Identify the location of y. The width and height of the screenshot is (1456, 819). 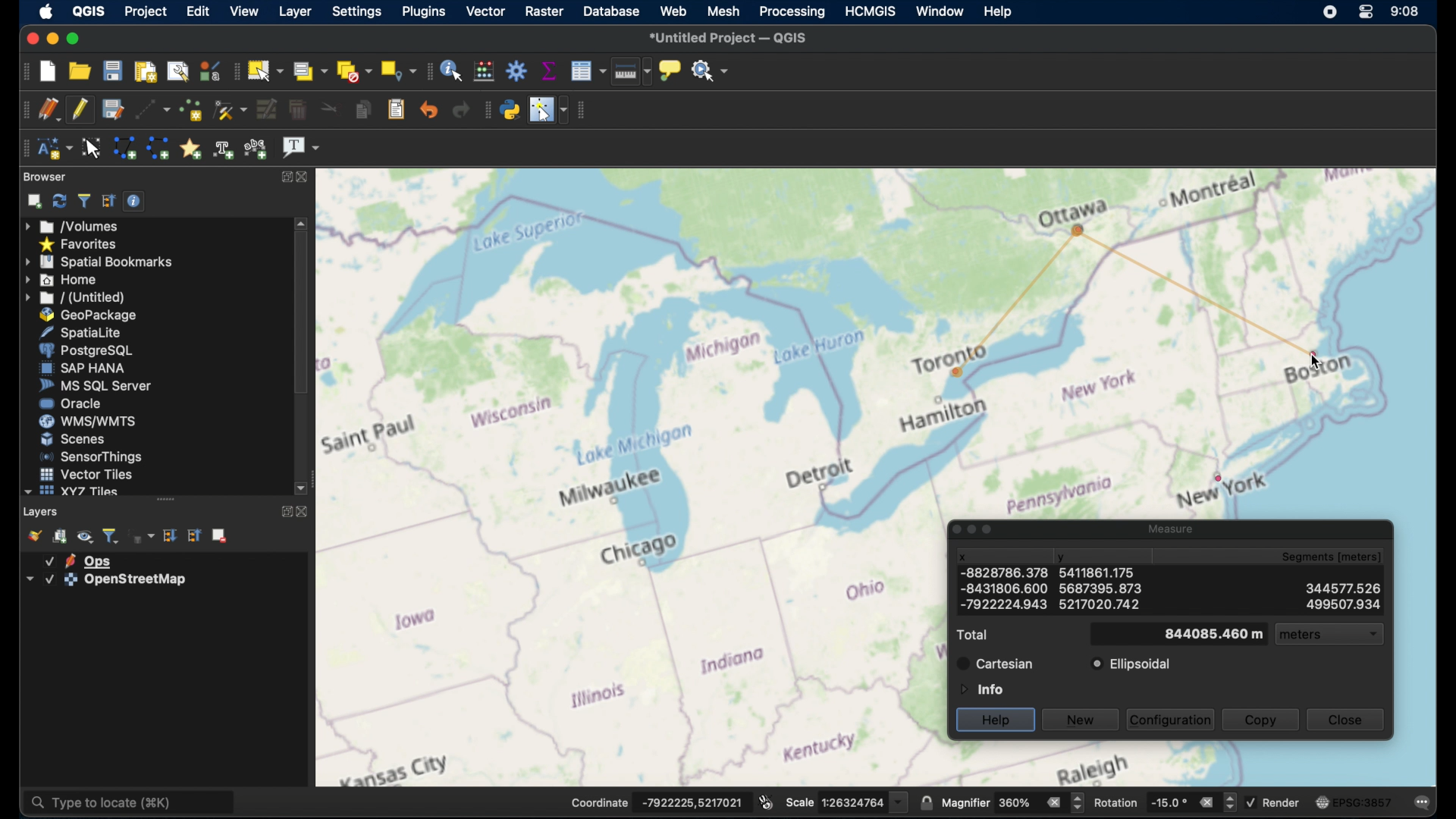
(1063, 559).